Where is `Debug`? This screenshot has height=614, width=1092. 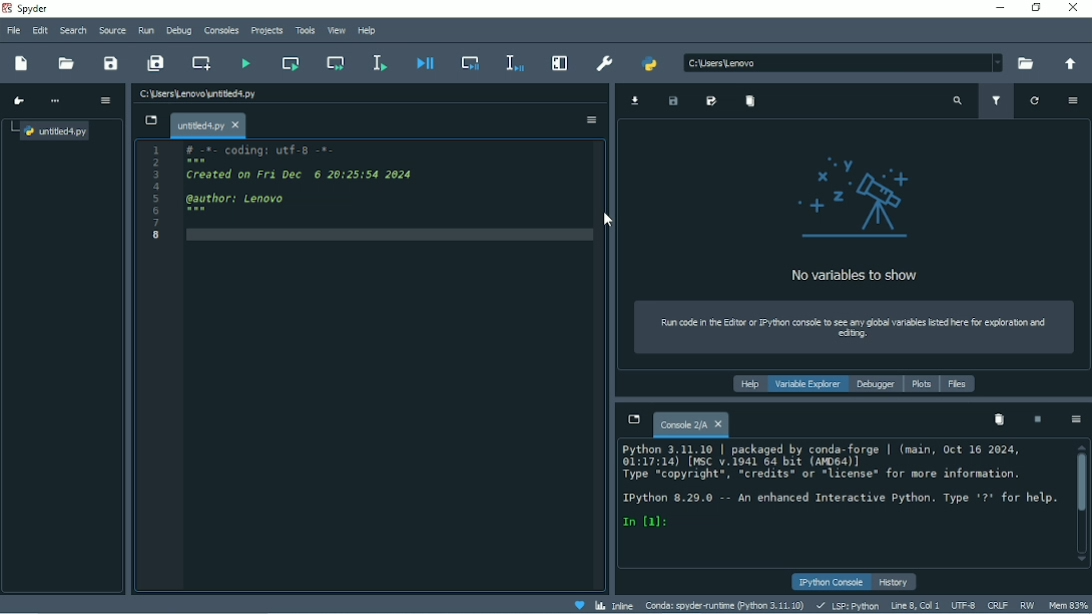 Debug is located at coordinates (179, 31).